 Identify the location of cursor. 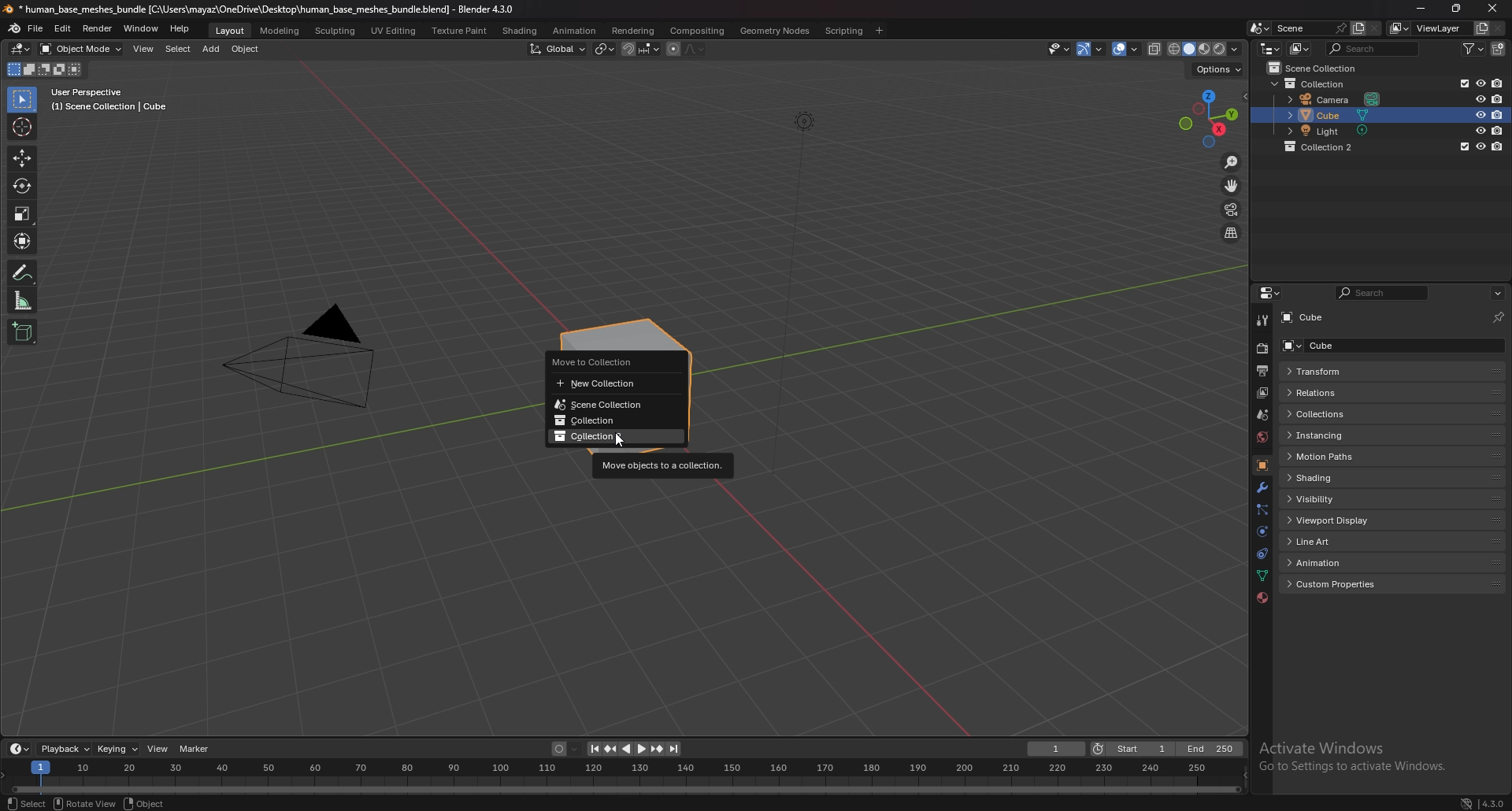
(22, 127).